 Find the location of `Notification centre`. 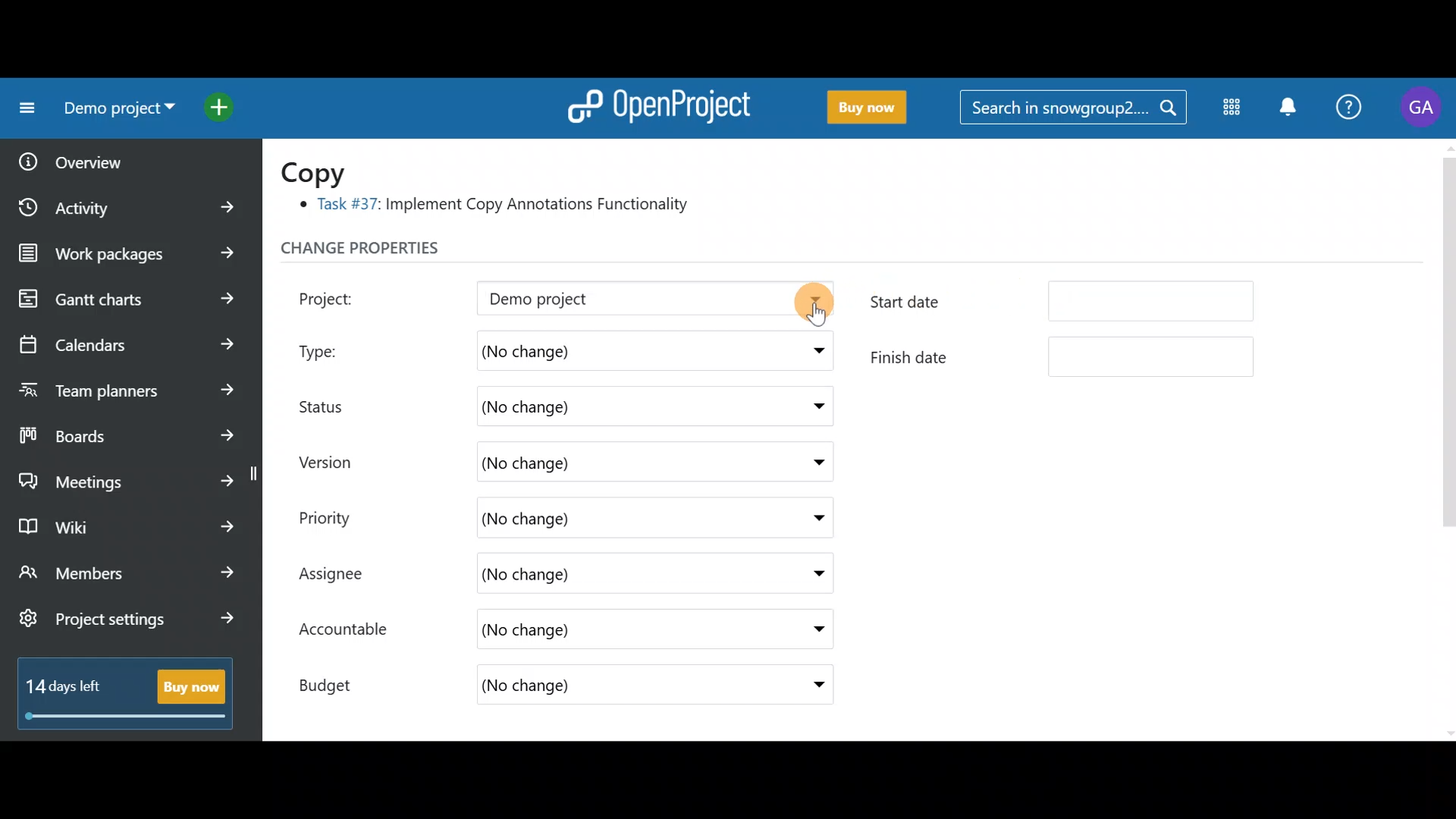

Notification centre is located at coordinates (1287, 108).